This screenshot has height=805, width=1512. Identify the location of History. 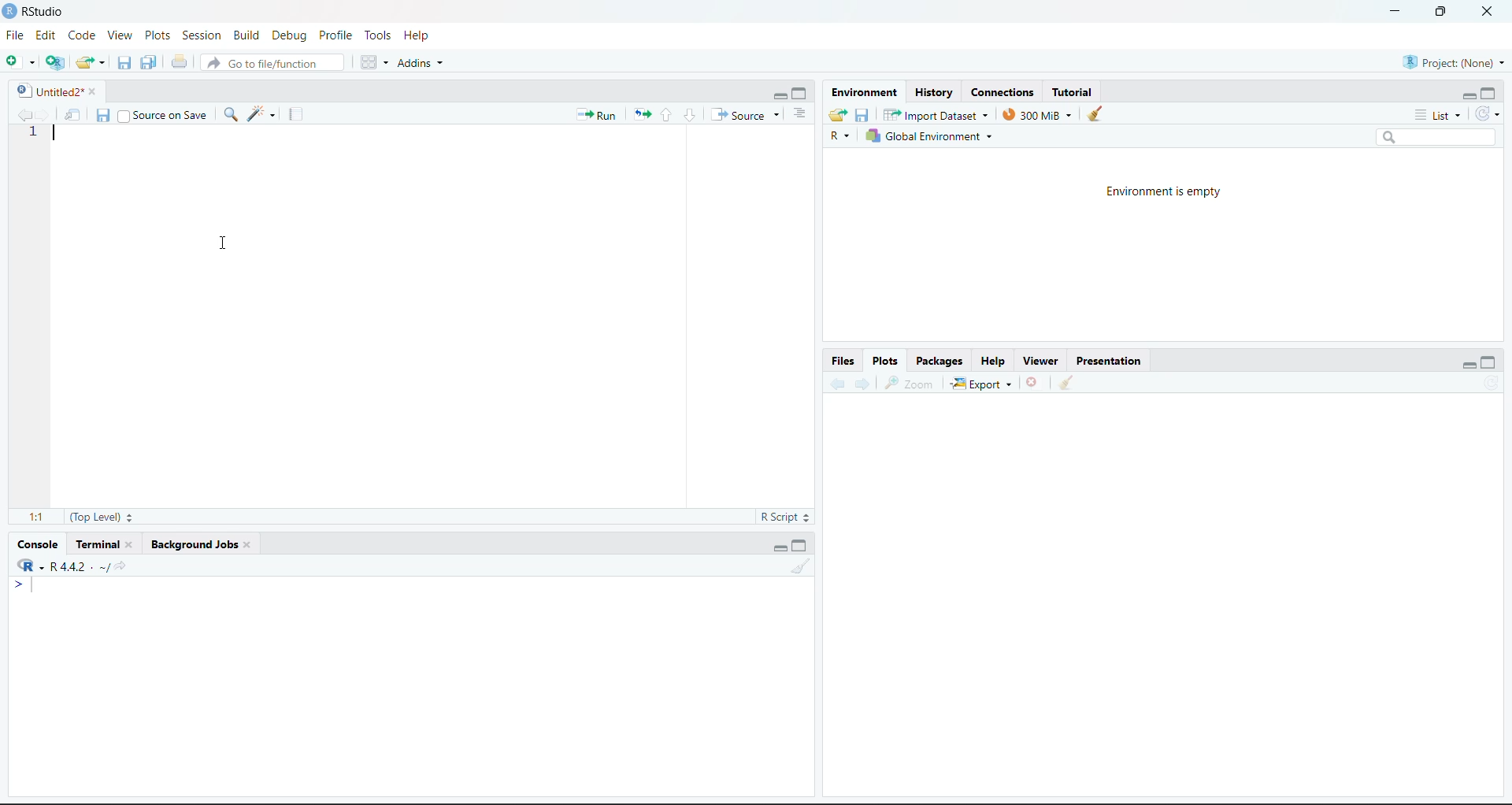
(934, 93).